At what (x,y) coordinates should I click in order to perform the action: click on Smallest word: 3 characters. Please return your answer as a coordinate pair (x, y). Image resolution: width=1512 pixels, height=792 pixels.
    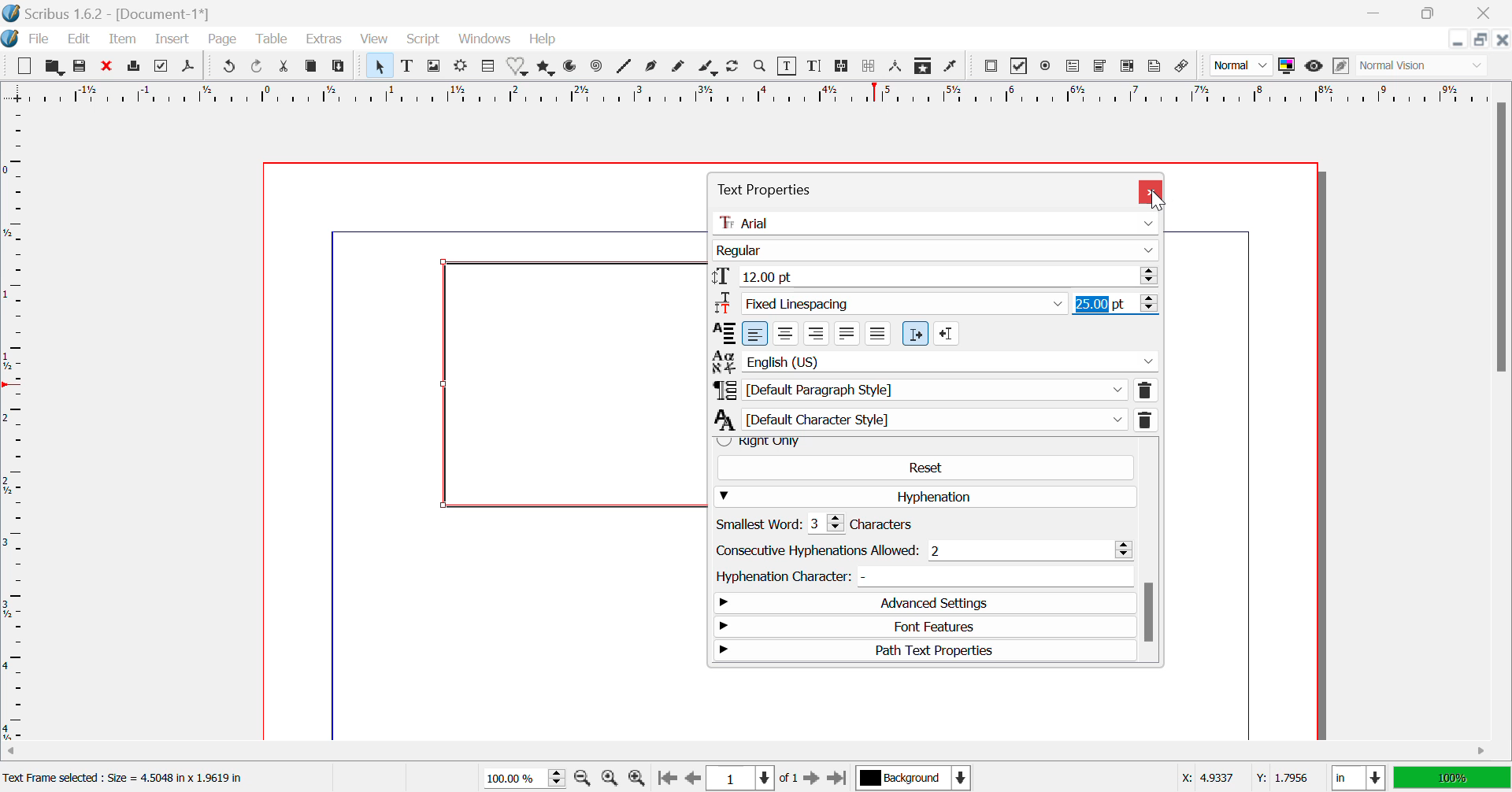
    Looking at the image, I should click on (832, 524).